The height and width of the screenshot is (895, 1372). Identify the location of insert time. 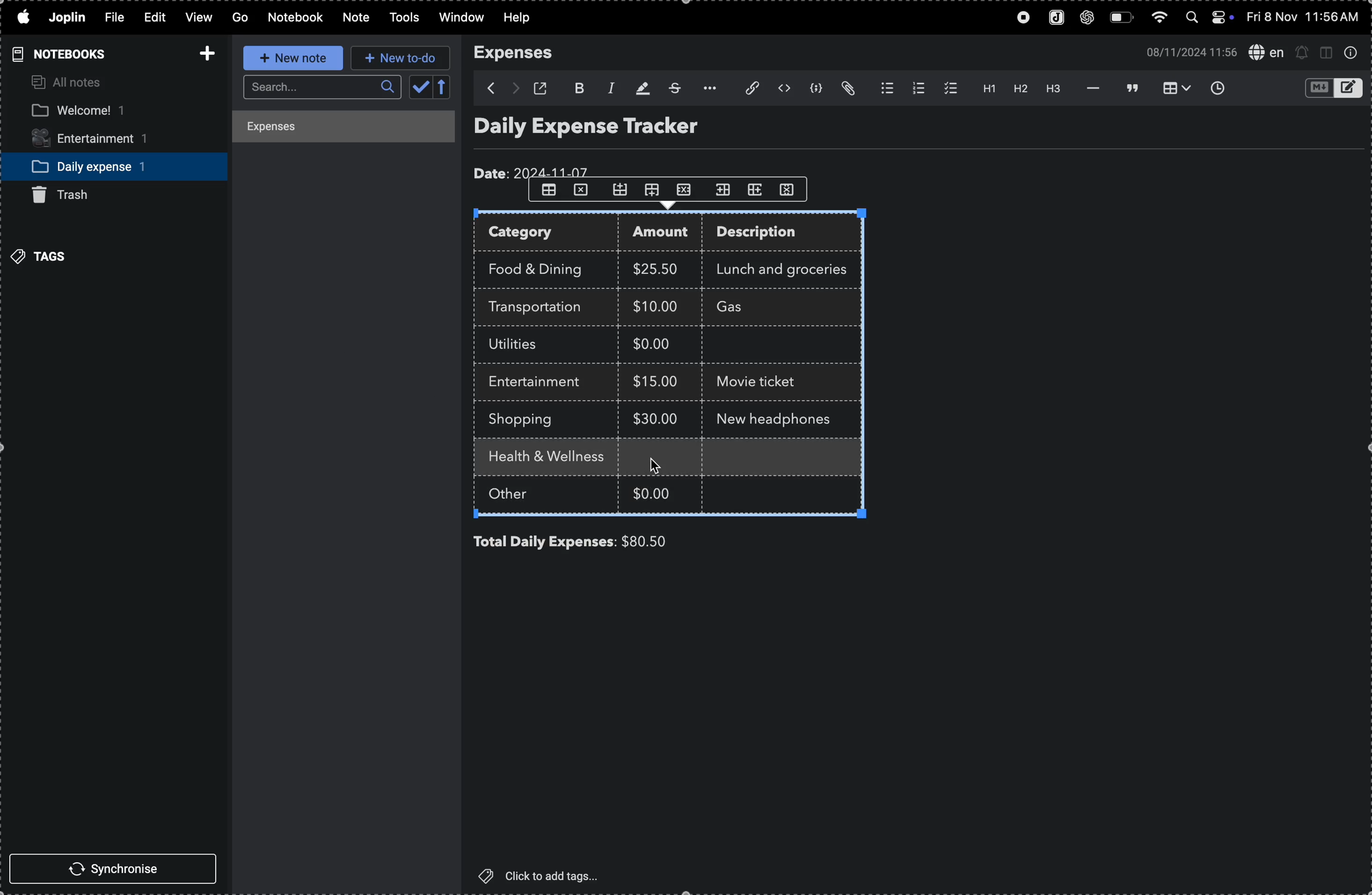
(1216, 88).